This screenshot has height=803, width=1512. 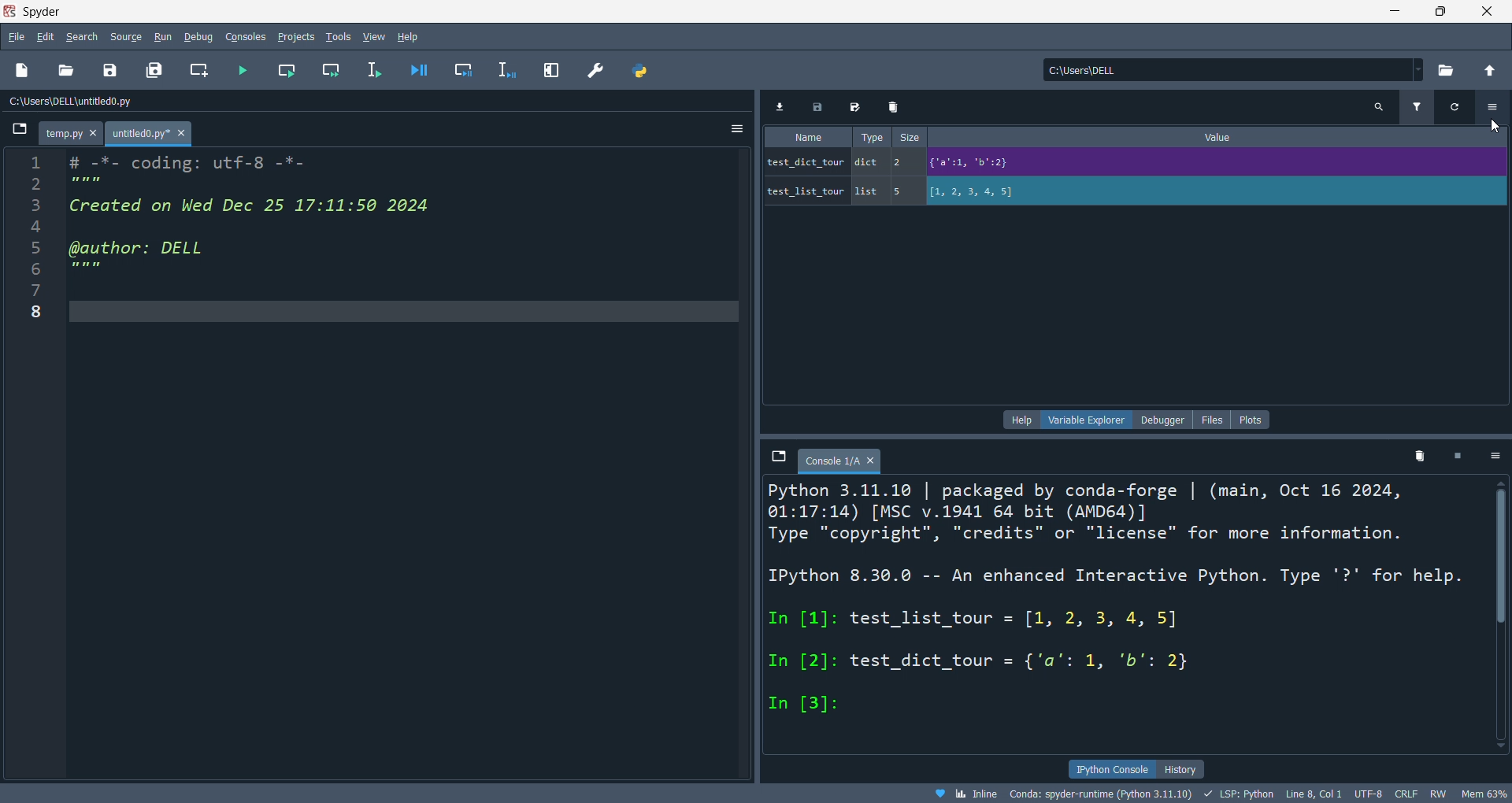 I want to click on debug cell, so click(x=463, y=71).